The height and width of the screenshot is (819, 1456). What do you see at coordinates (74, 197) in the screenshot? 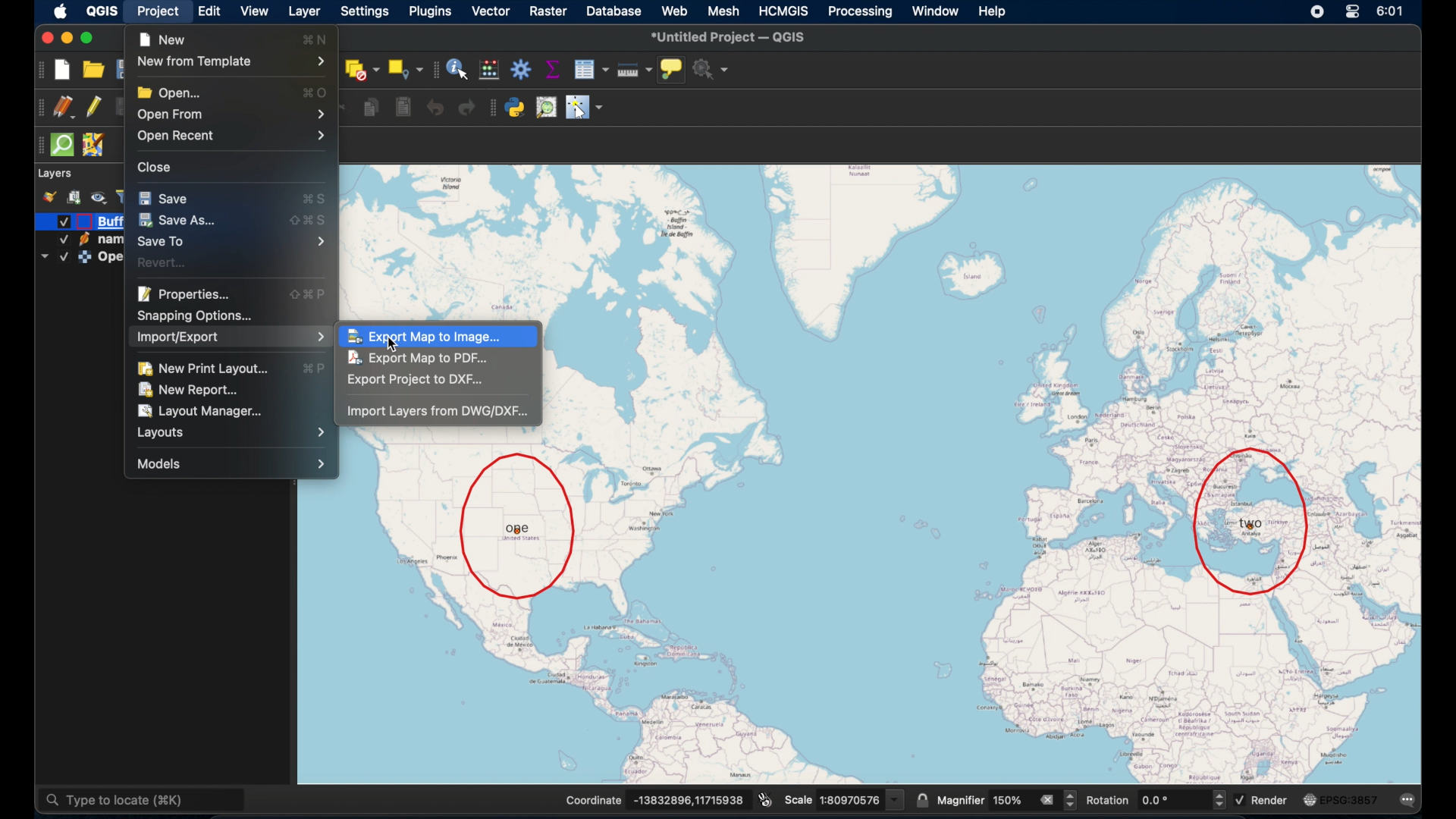
I see `add group` at bounding box center [74, 197].